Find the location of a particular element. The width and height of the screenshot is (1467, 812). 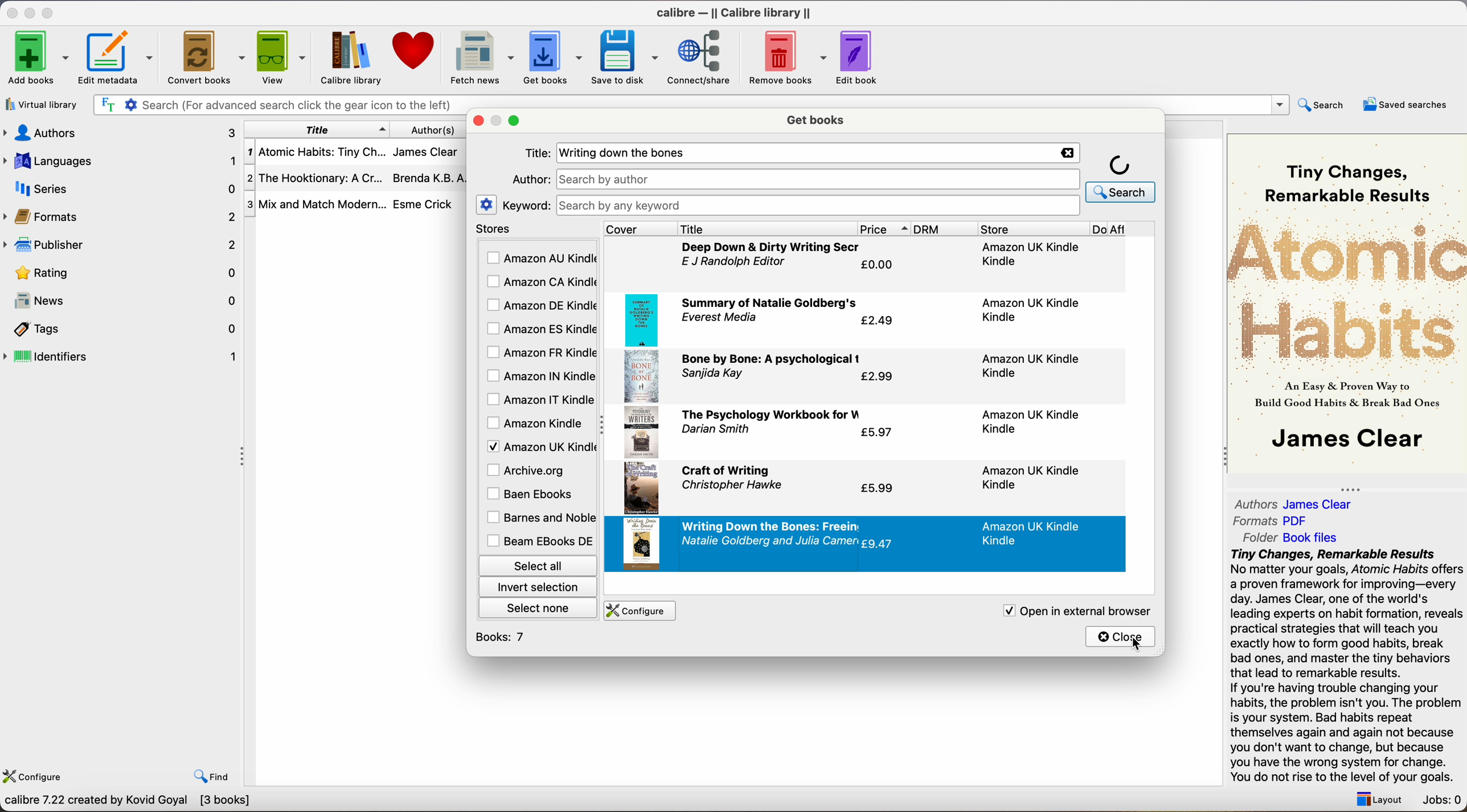

indentifiers is located at coordinates (123, 355).